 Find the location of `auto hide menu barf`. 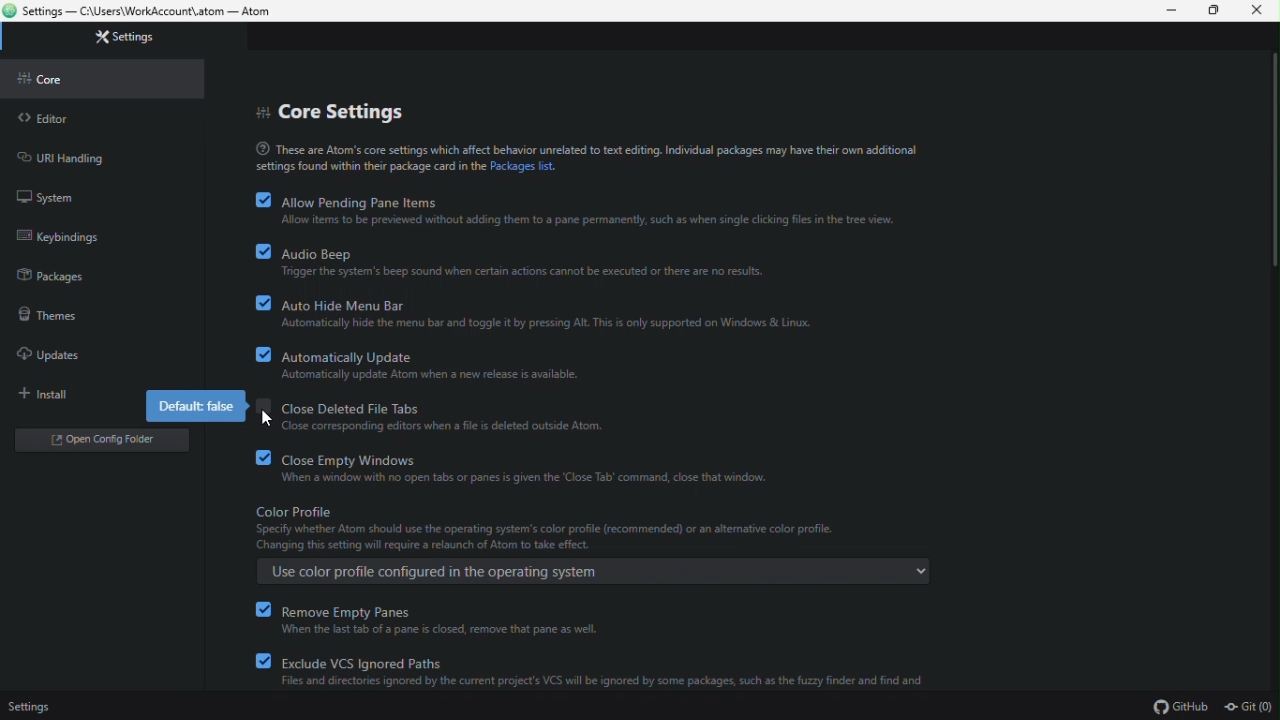

auto hide menu barf is located at coordinates (557, 311).